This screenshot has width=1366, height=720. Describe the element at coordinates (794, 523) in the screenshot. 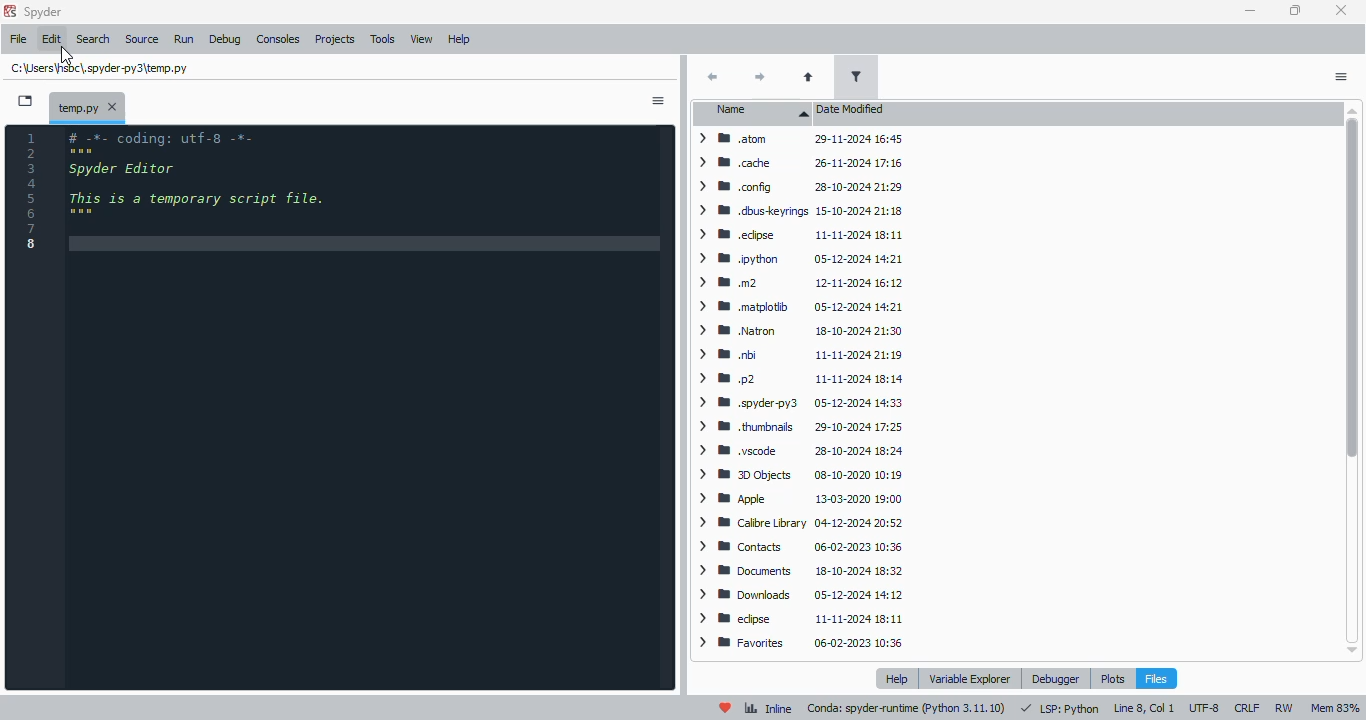

I see `> IB Calibre Library 04-12-2024 20:52` at that location.